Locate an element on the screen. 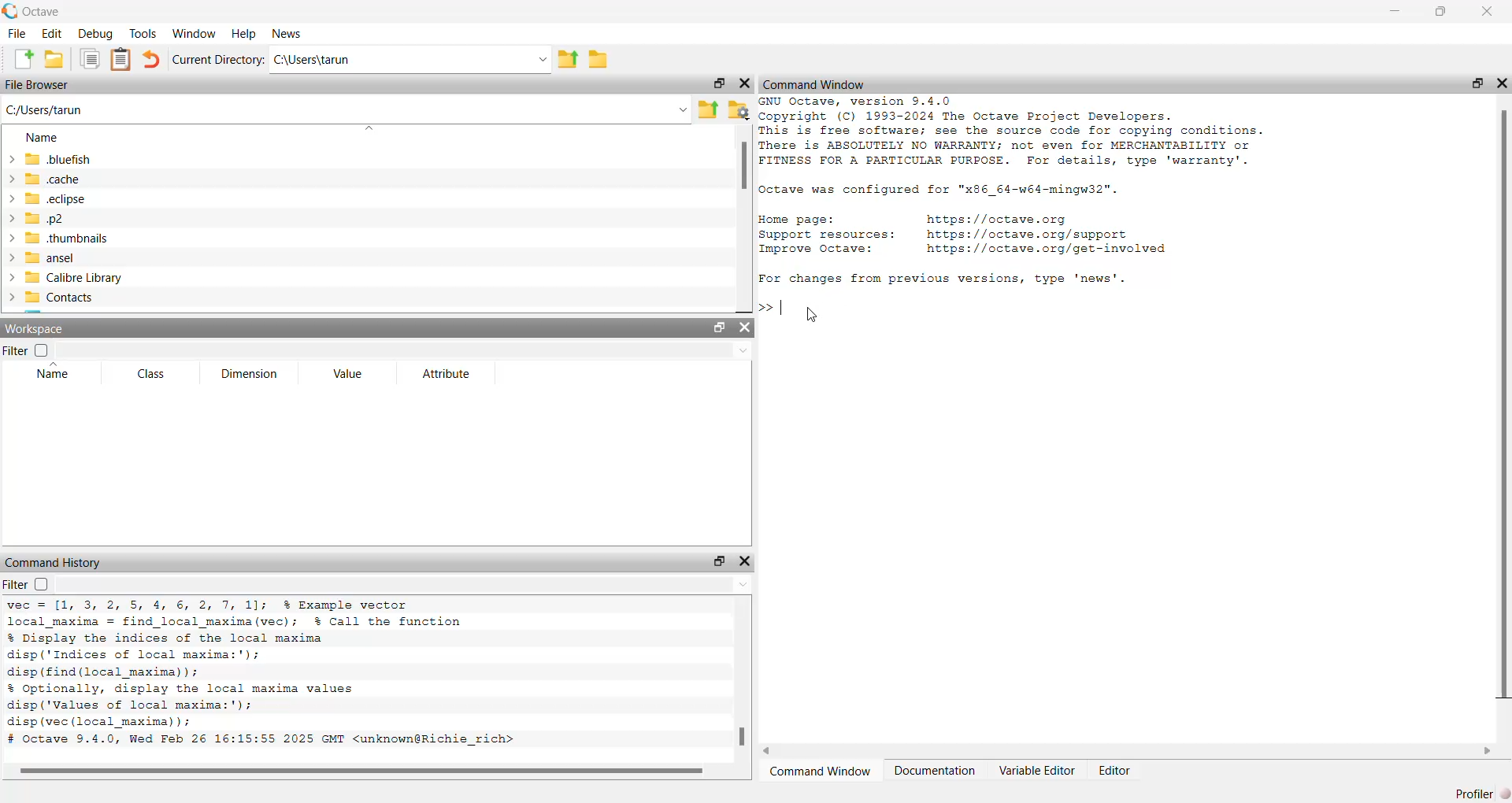 This screenshot has height=803, width=1512. Edit is located at coordinates (52, 32).